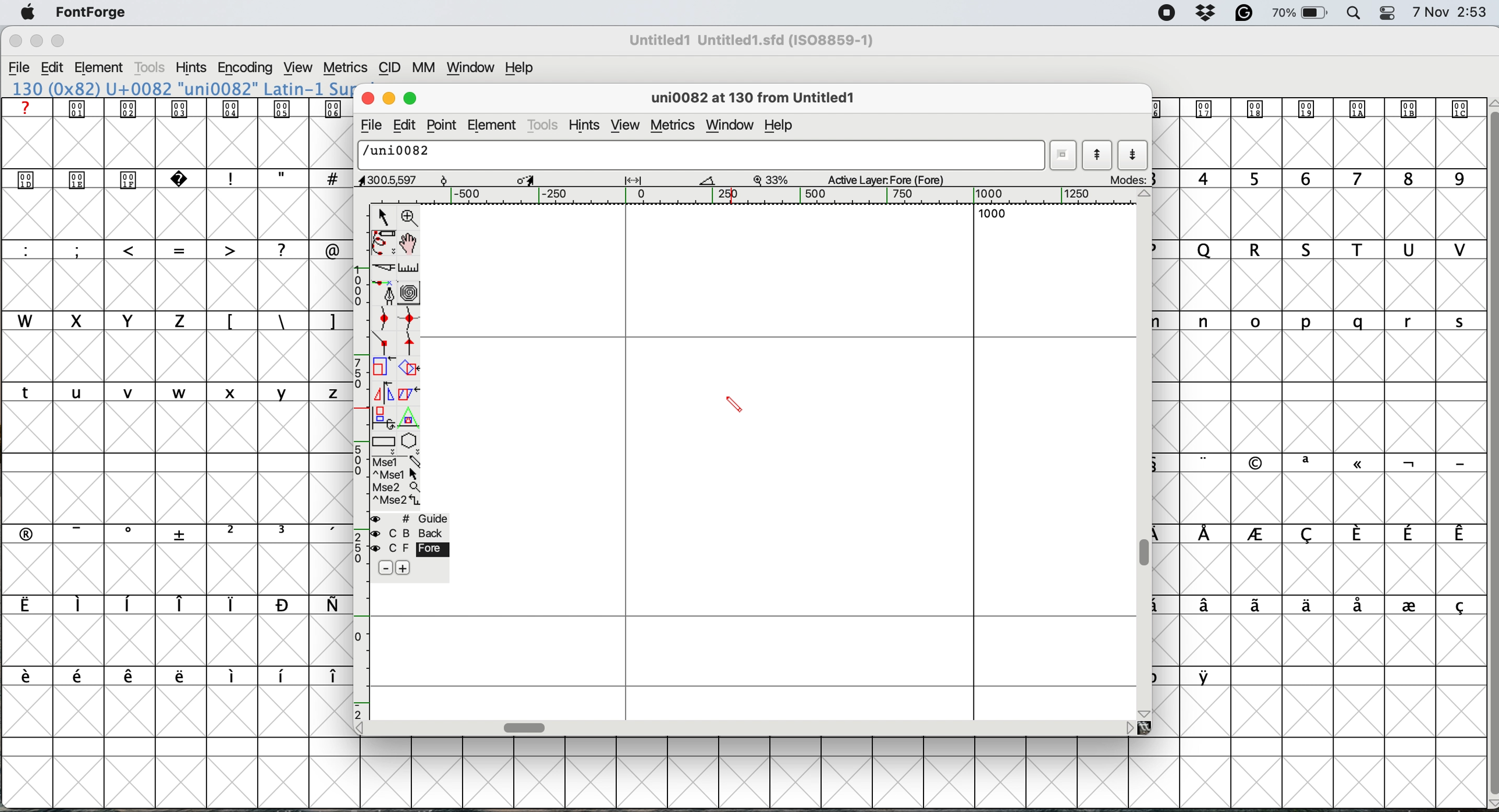  I want to click on metrics, so click(672, 125).